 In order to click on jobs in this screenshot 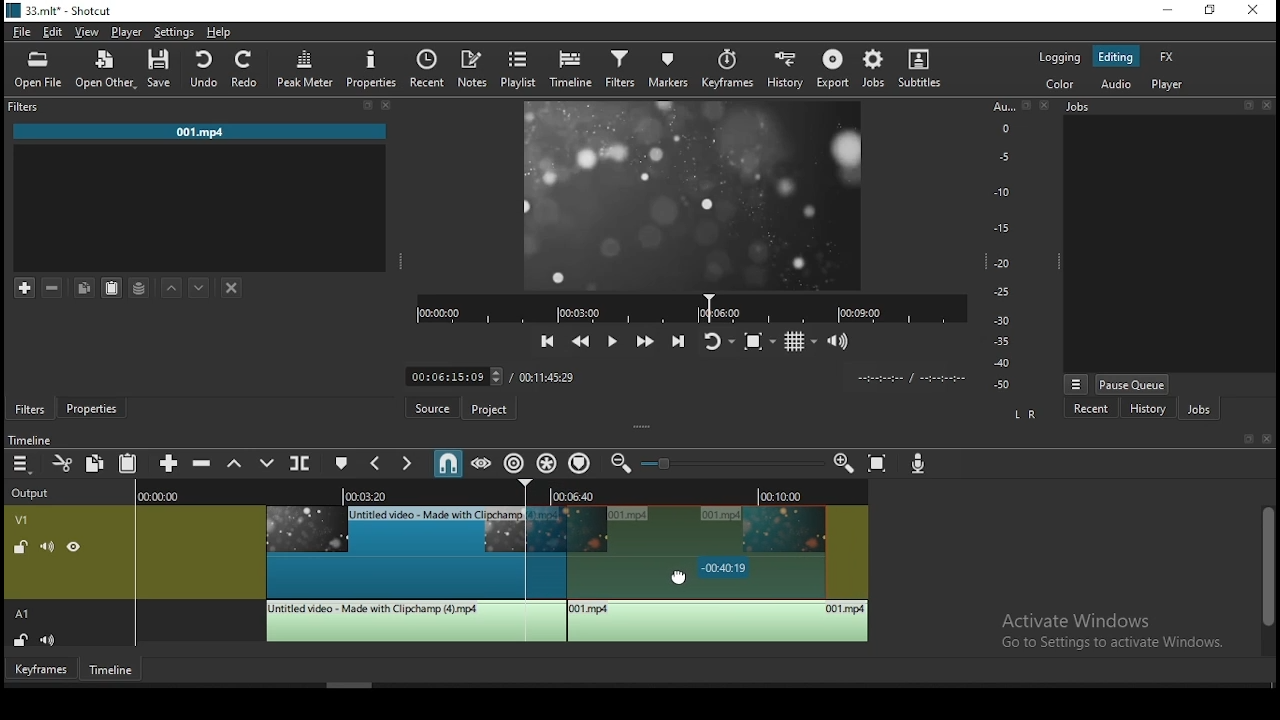, I will do `click(1203, 412)`.